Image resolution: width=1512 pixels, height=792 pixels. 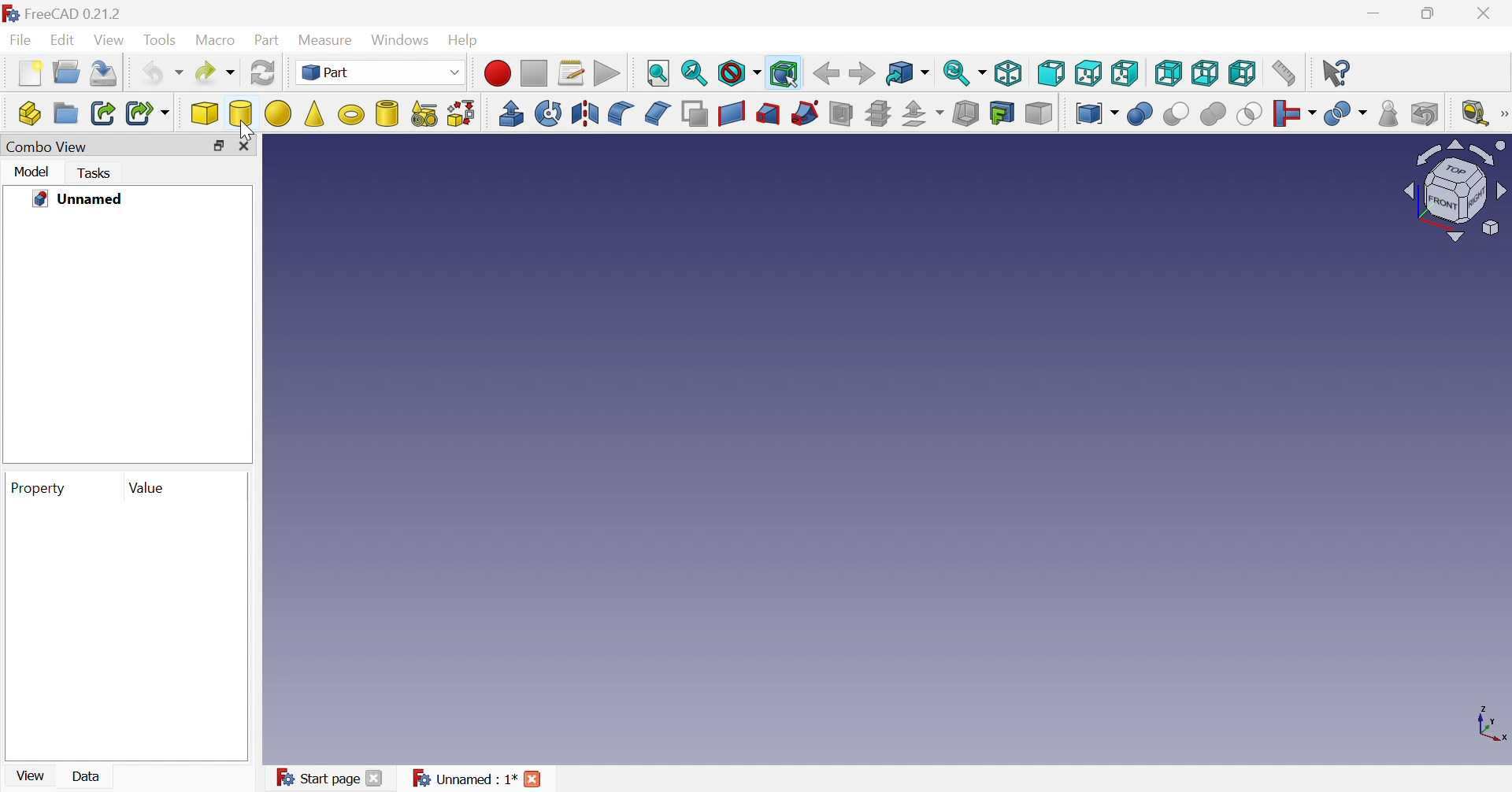 What do you see at coordinates (103, 115) in the screenshot?
I see `Make link` at bounding box center [103, 115].